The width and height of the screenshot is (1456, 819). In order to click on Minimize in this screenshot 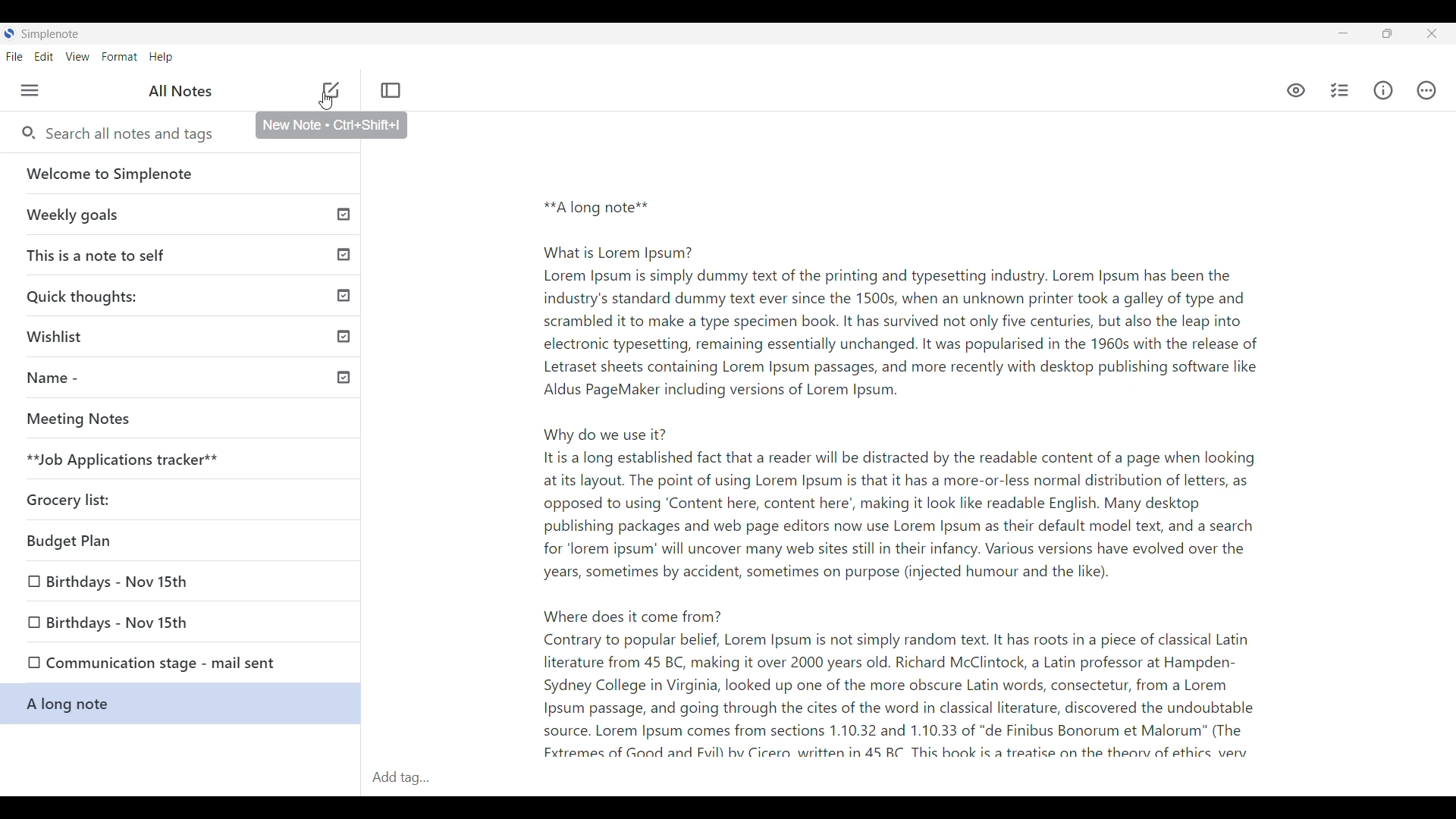, I will do `click(1344, 33)`.